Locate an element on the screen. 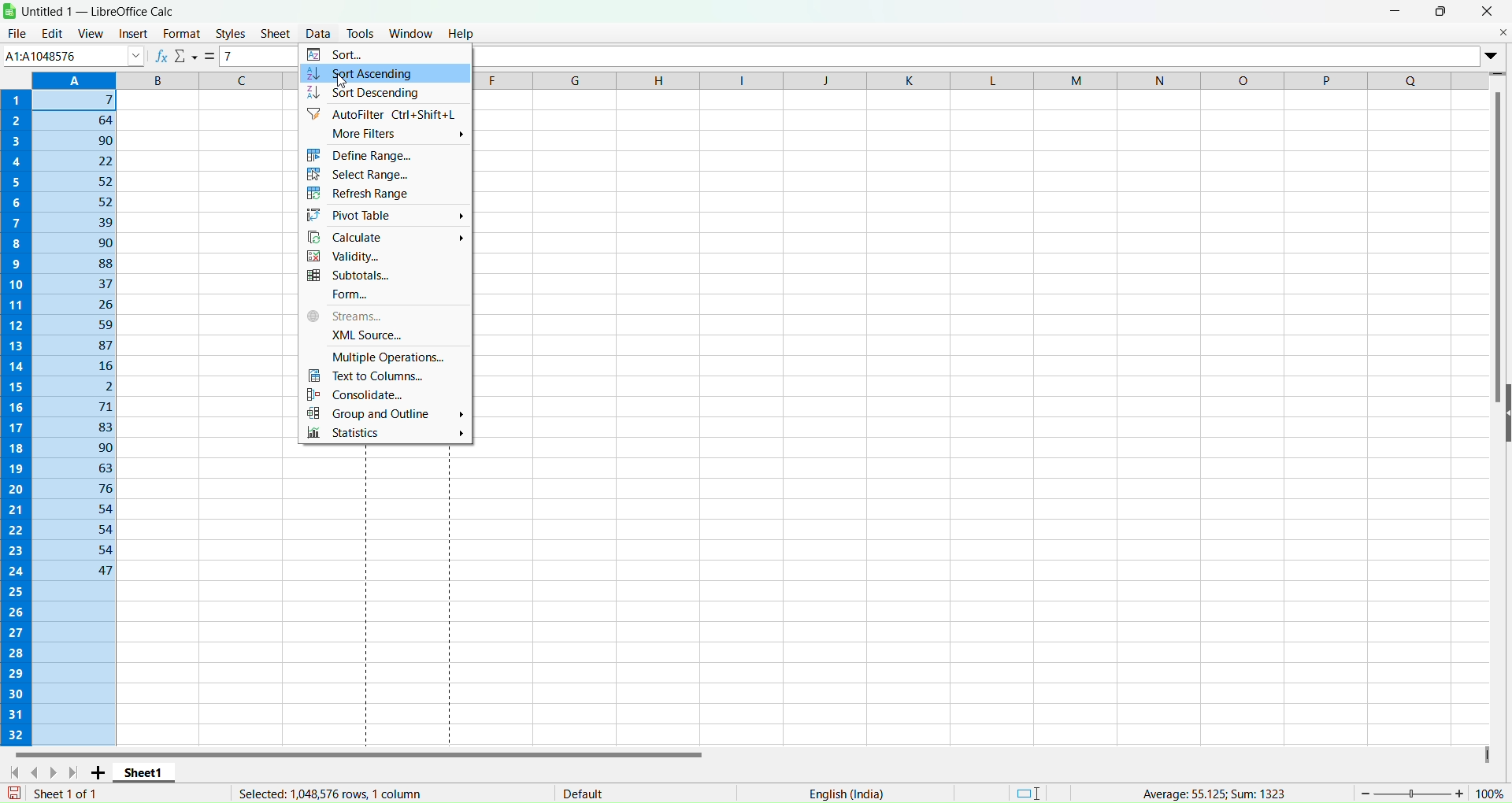 The height and width of the screenshot is (803, 1512). Sort descending is located at coordinates (376, 92).